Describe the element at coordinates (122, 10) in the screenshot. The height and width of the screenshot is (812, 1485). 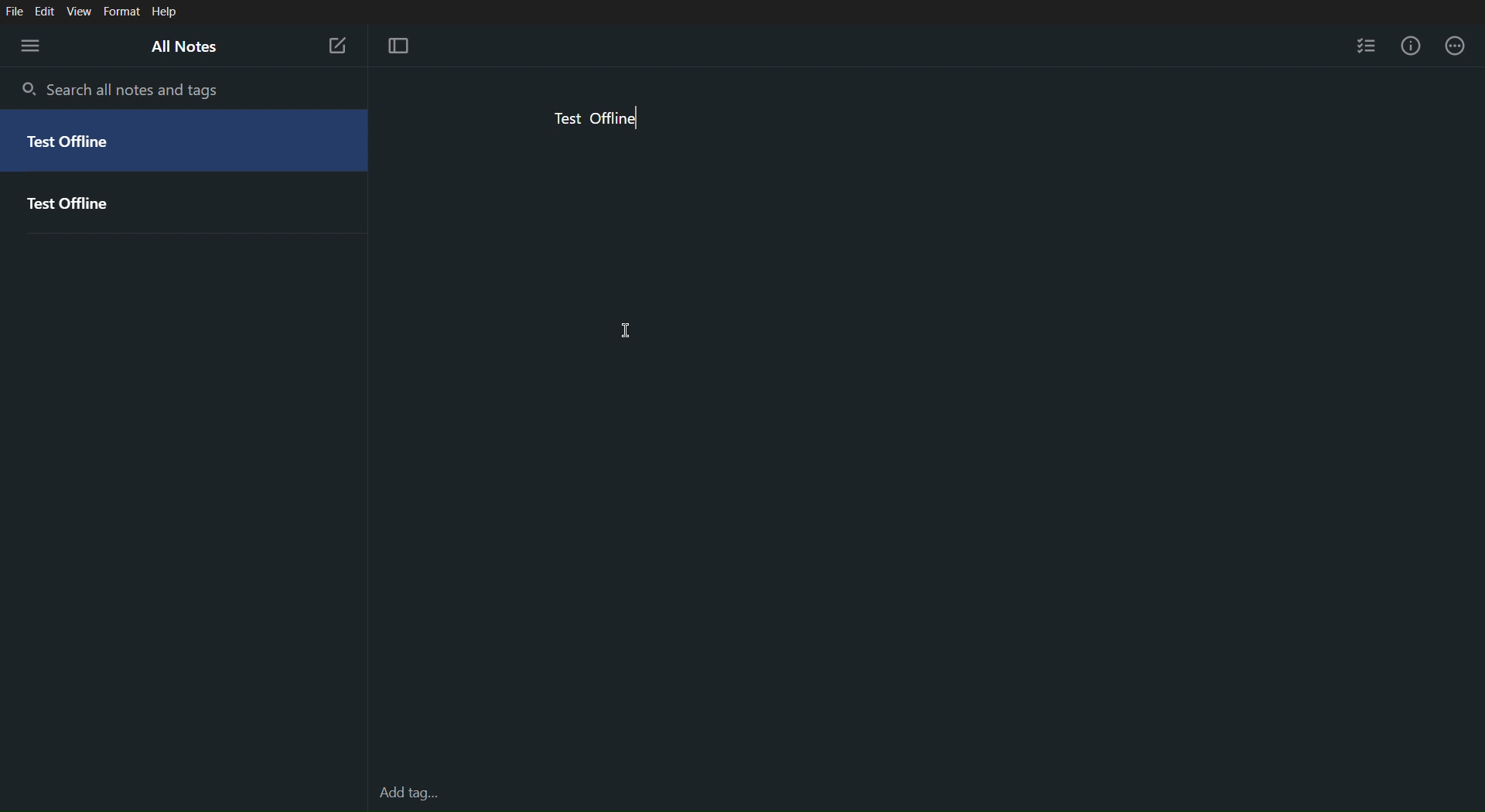
I see `Format` at that location.